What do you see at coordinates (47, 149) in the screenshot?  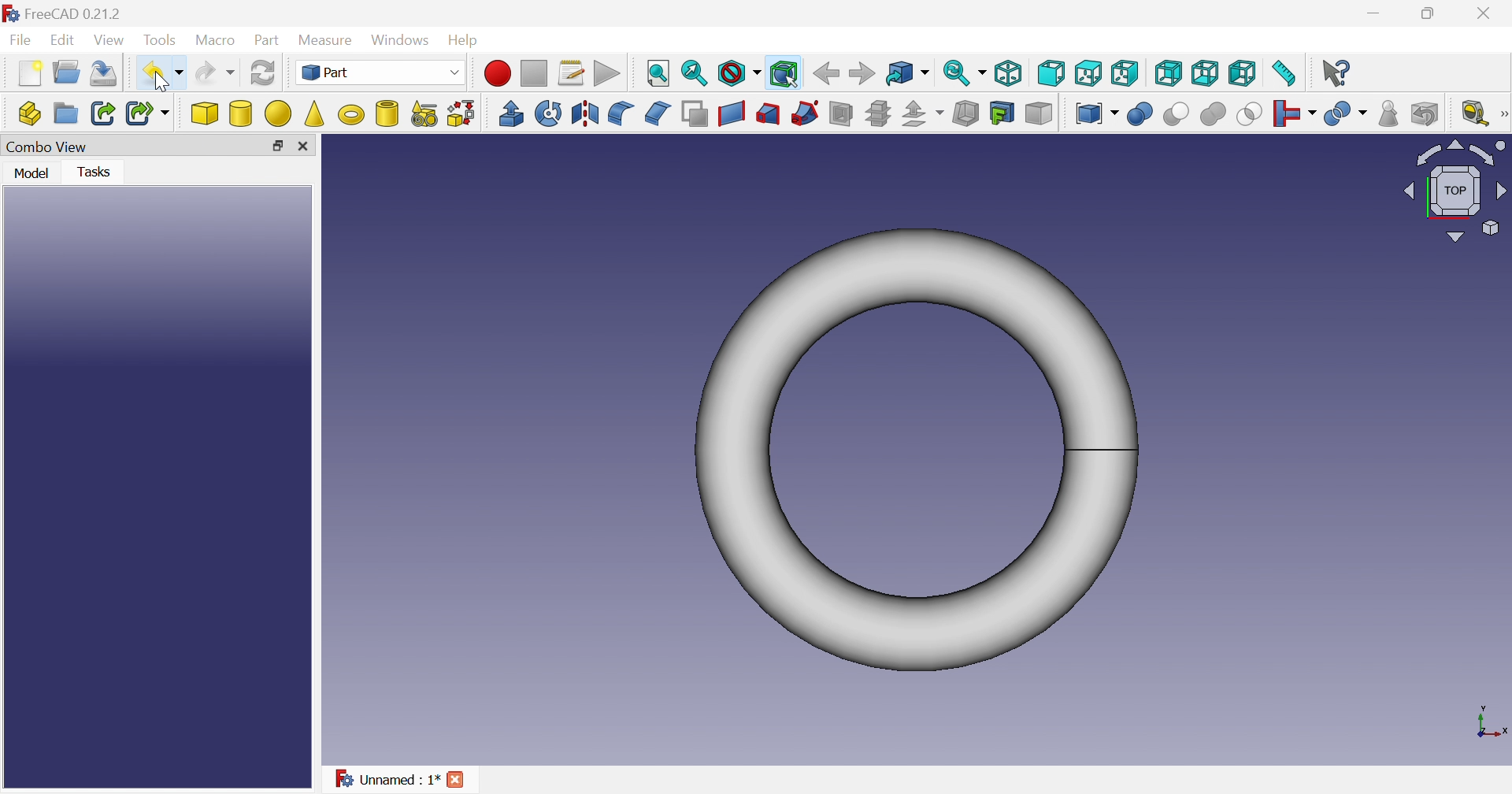 I see `Combo view` at bounding box center [47, 149].